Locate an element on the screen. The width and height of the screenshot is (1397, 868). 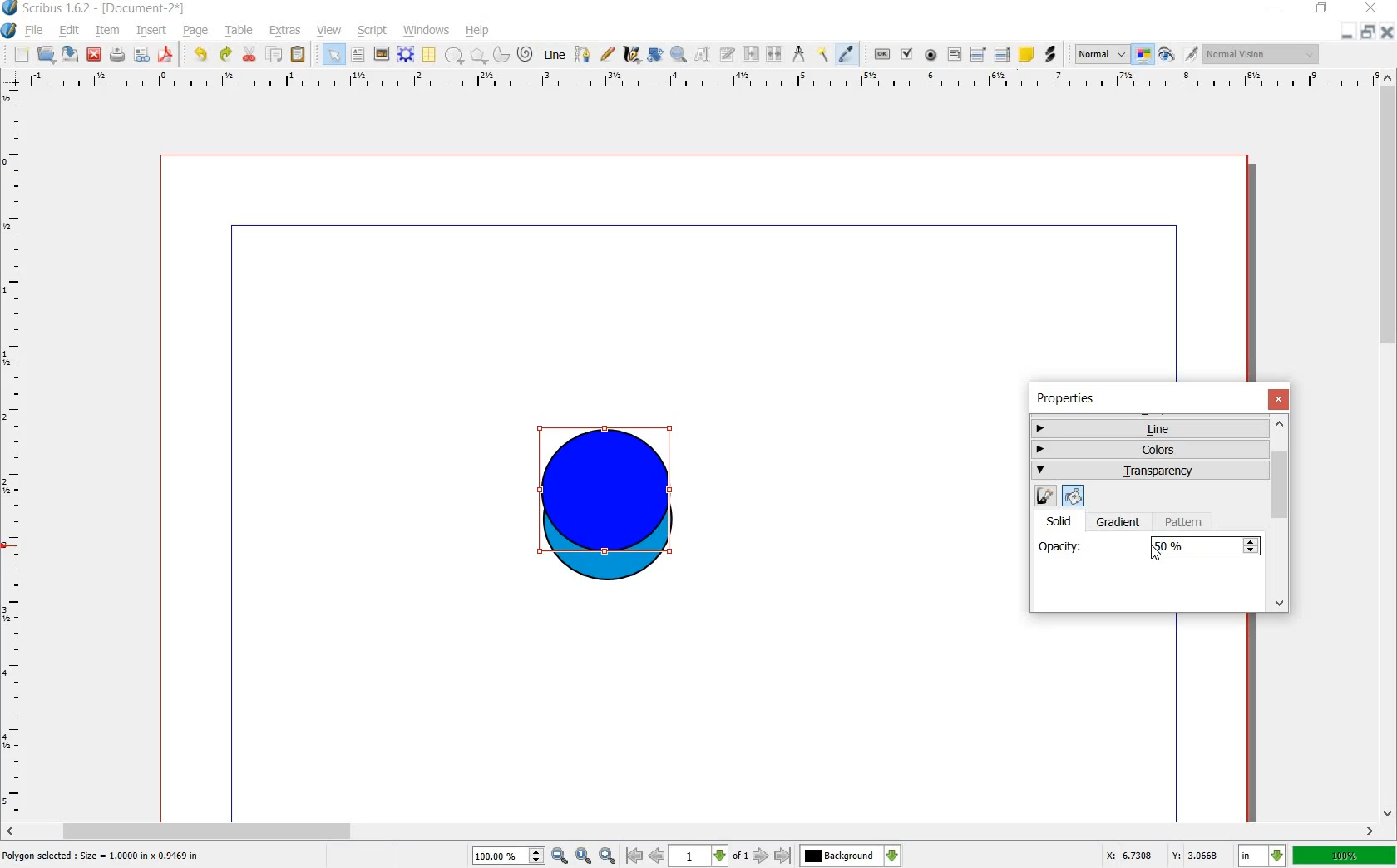
X: 3.3487   Y: 2.7579 is located at coordinates (1163, 855).